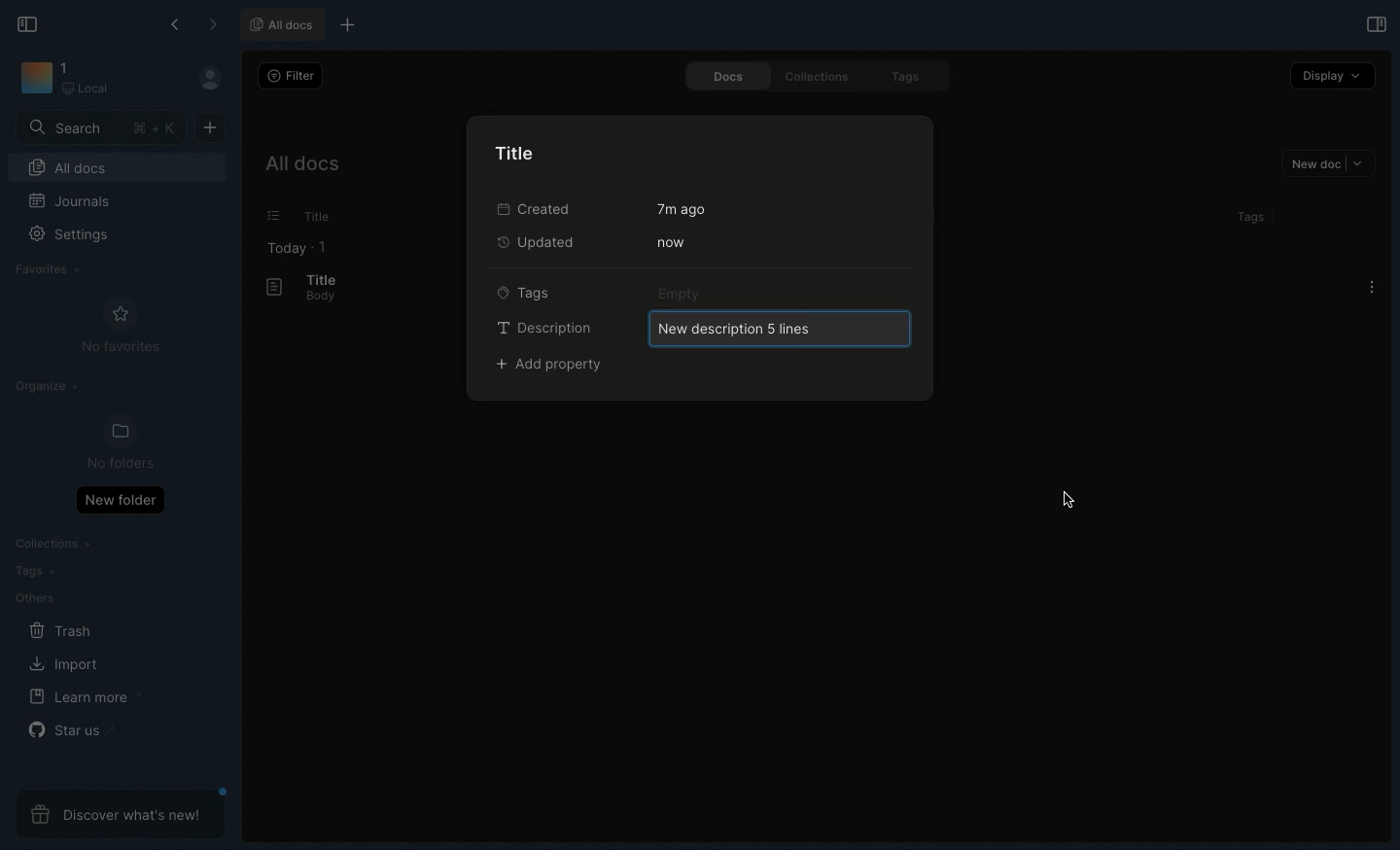 This screenshot has height=850, width=1400. What do you see at coordinates (313, 217) in the screenshot?
I see `Title` at bounding box center [313, 217].